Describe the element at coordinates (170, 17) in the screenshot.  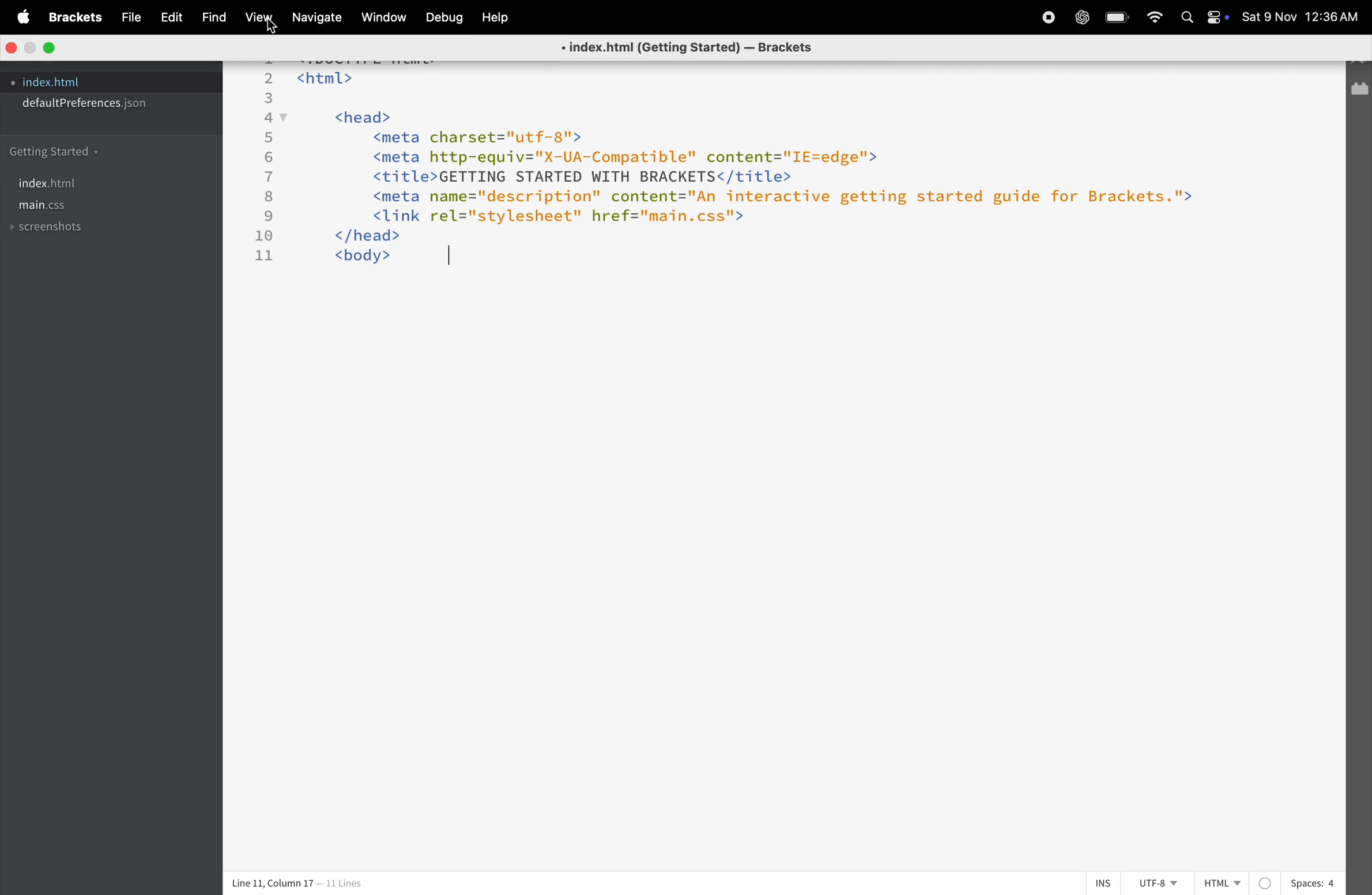
I see `edit` at that location.